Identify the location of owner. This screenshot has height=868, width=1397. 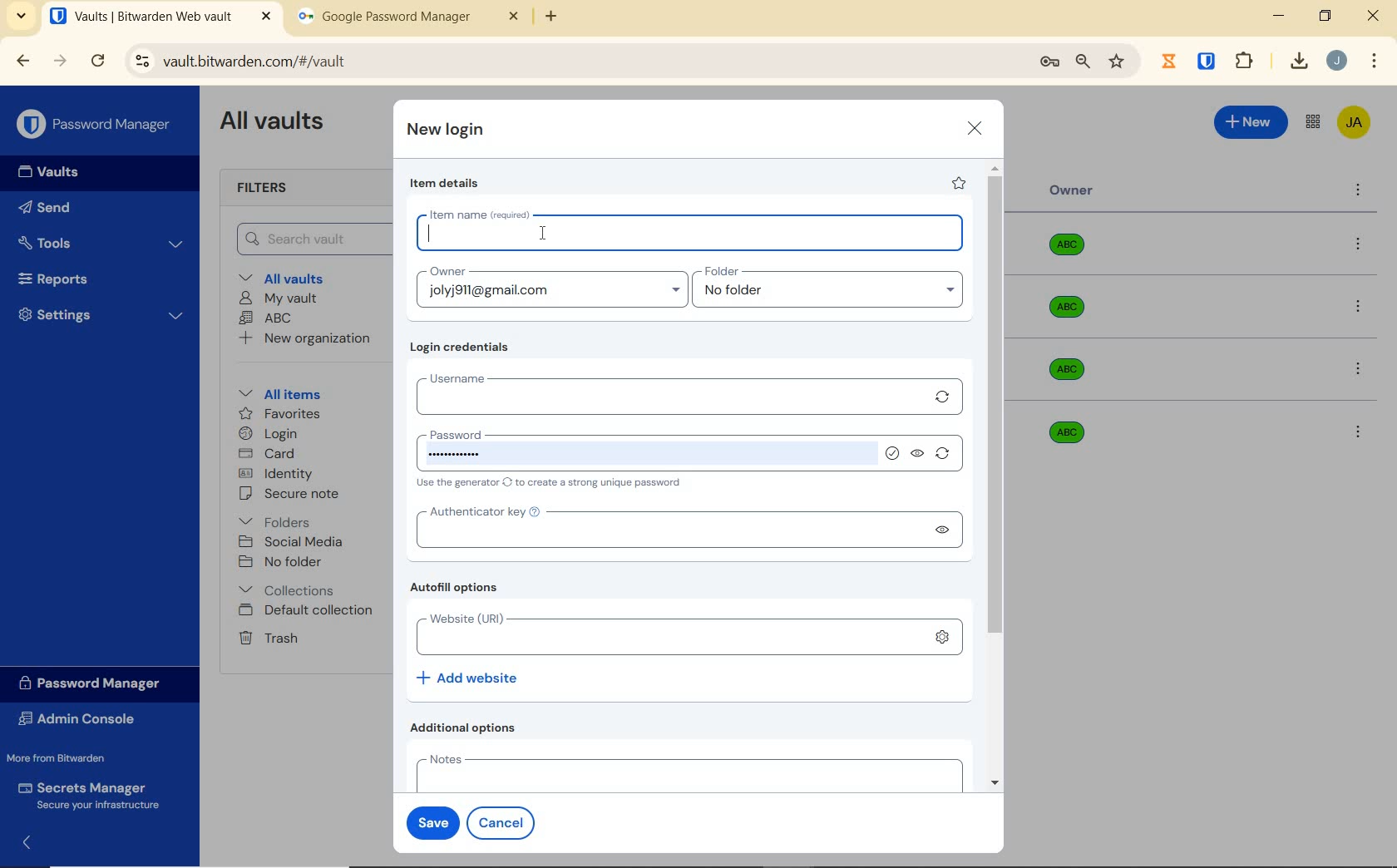
(446, 273).